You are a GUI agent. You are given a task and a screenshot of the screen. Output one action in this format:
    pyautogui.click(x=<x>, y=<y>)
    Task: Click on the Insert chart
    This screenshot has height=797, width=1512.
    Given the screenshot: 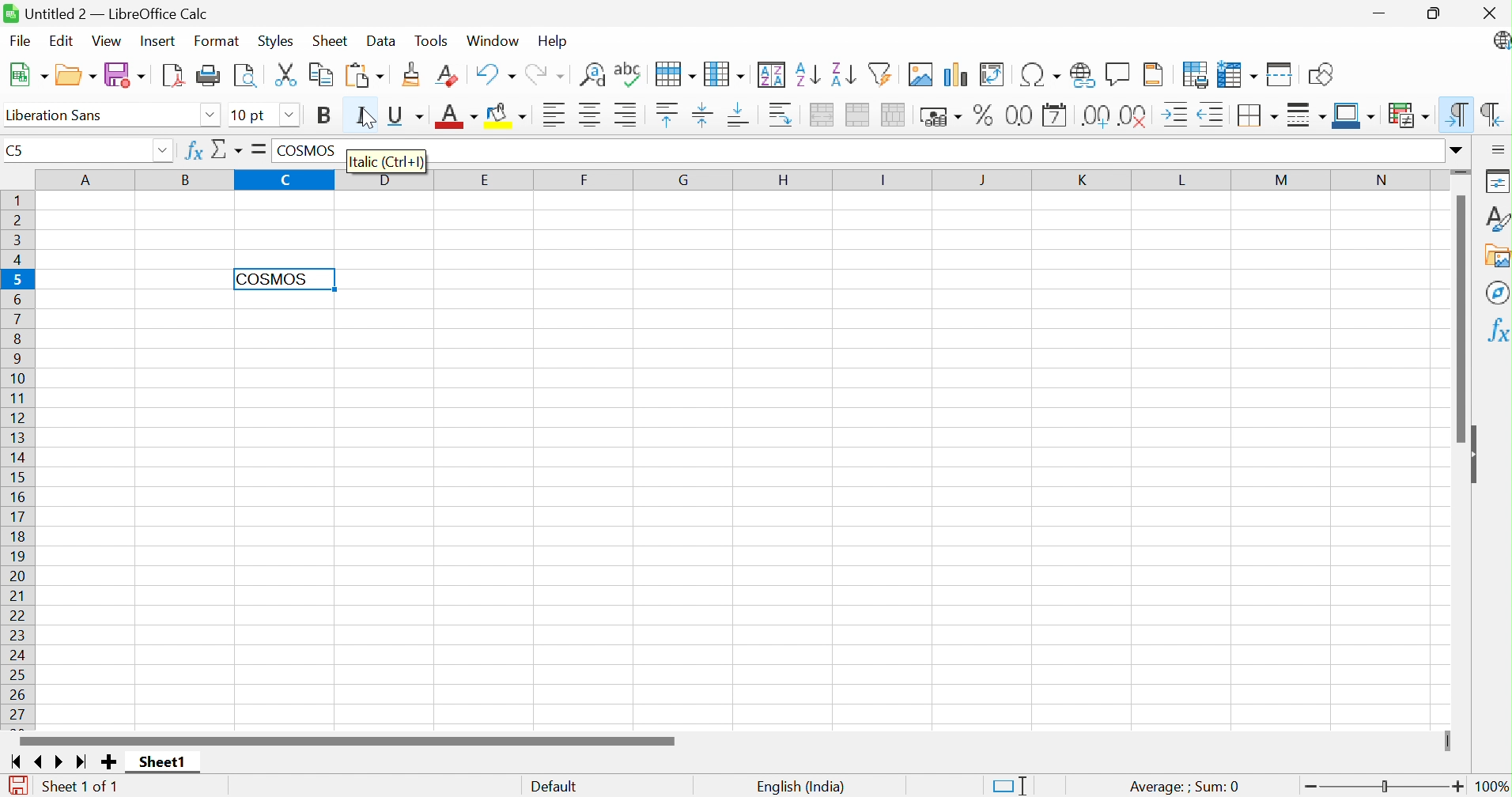 What is the action you would take?
    pyautogui.click(x=953, y=74)
    